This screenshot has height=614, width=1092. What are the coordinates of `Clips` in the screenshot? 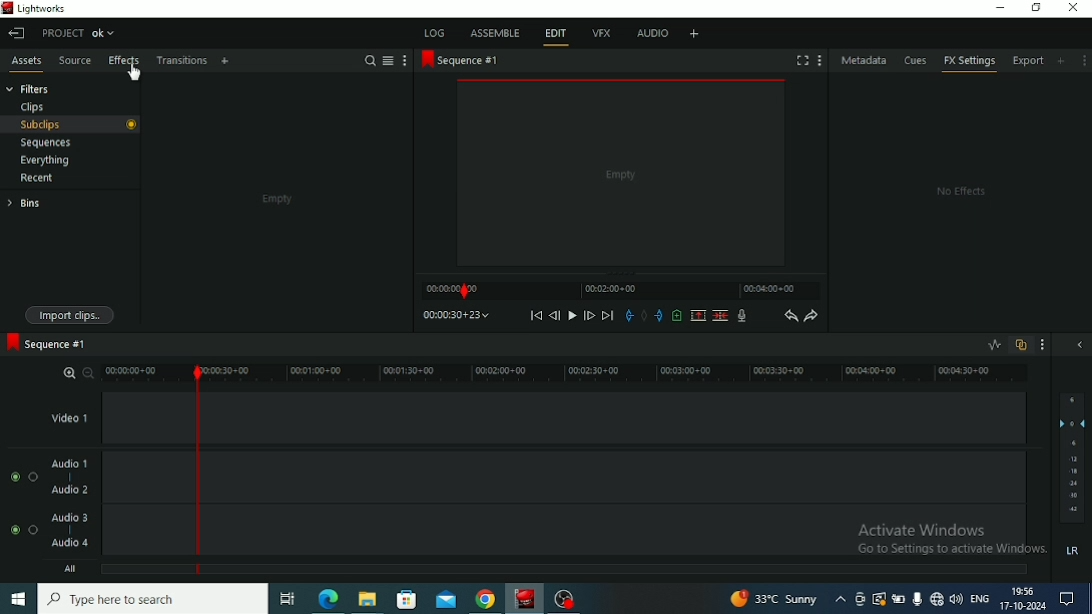 It's located at (33, 106).